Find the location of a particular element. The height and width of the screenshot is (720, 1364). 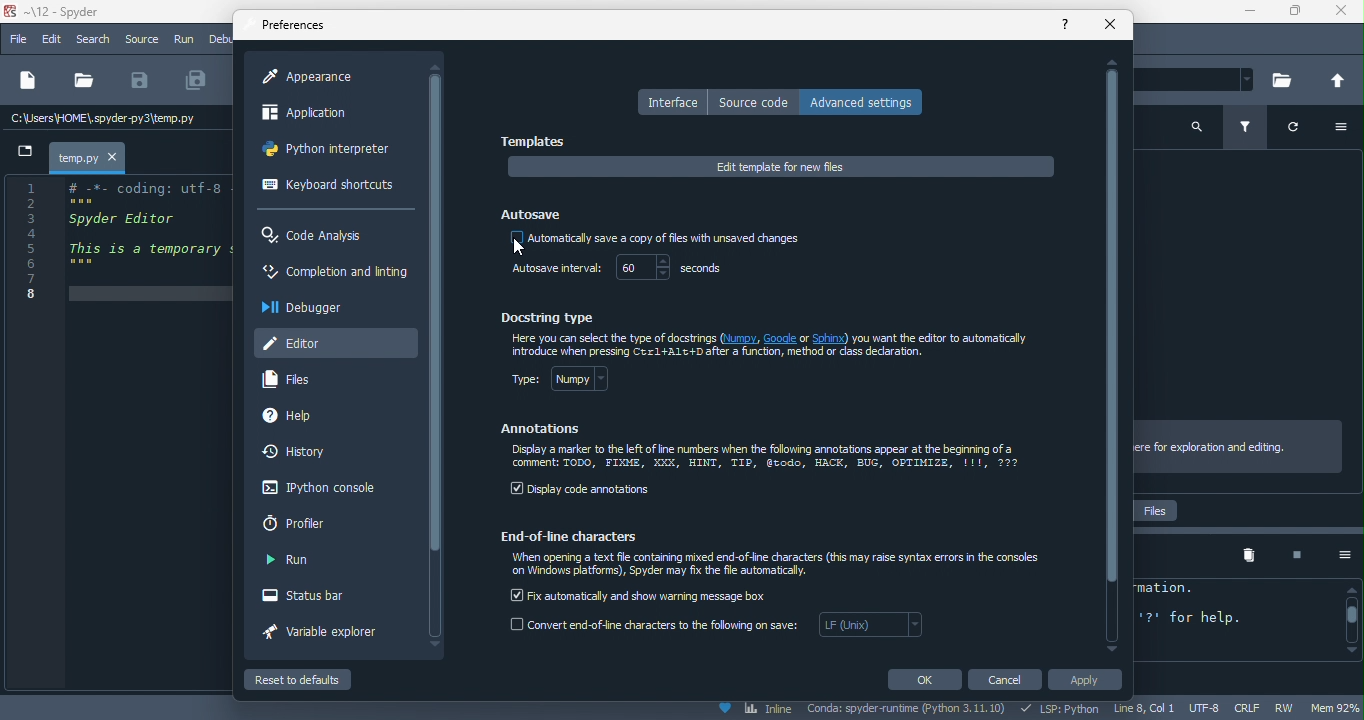

variable explorer is located at coordinates (331, 635).